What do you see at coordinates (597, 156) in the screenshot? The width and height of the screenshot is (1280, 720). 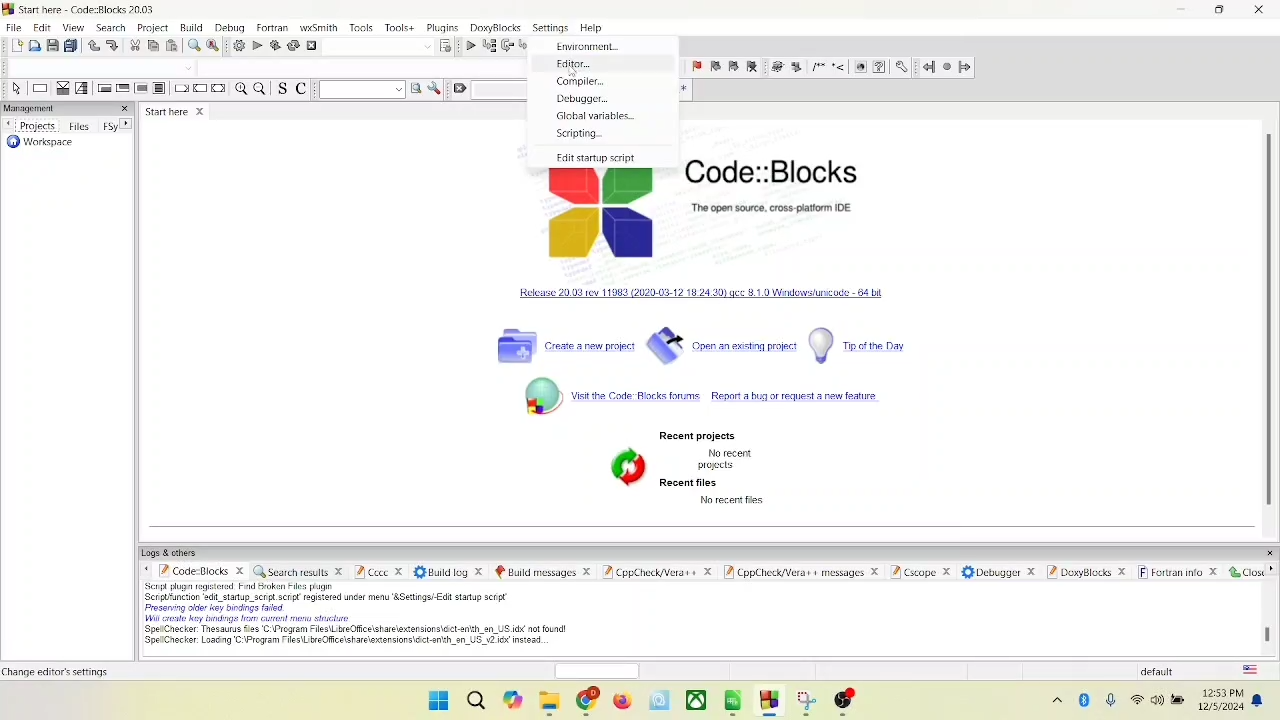 I see `edit startup` at bounding box center [597, 156].